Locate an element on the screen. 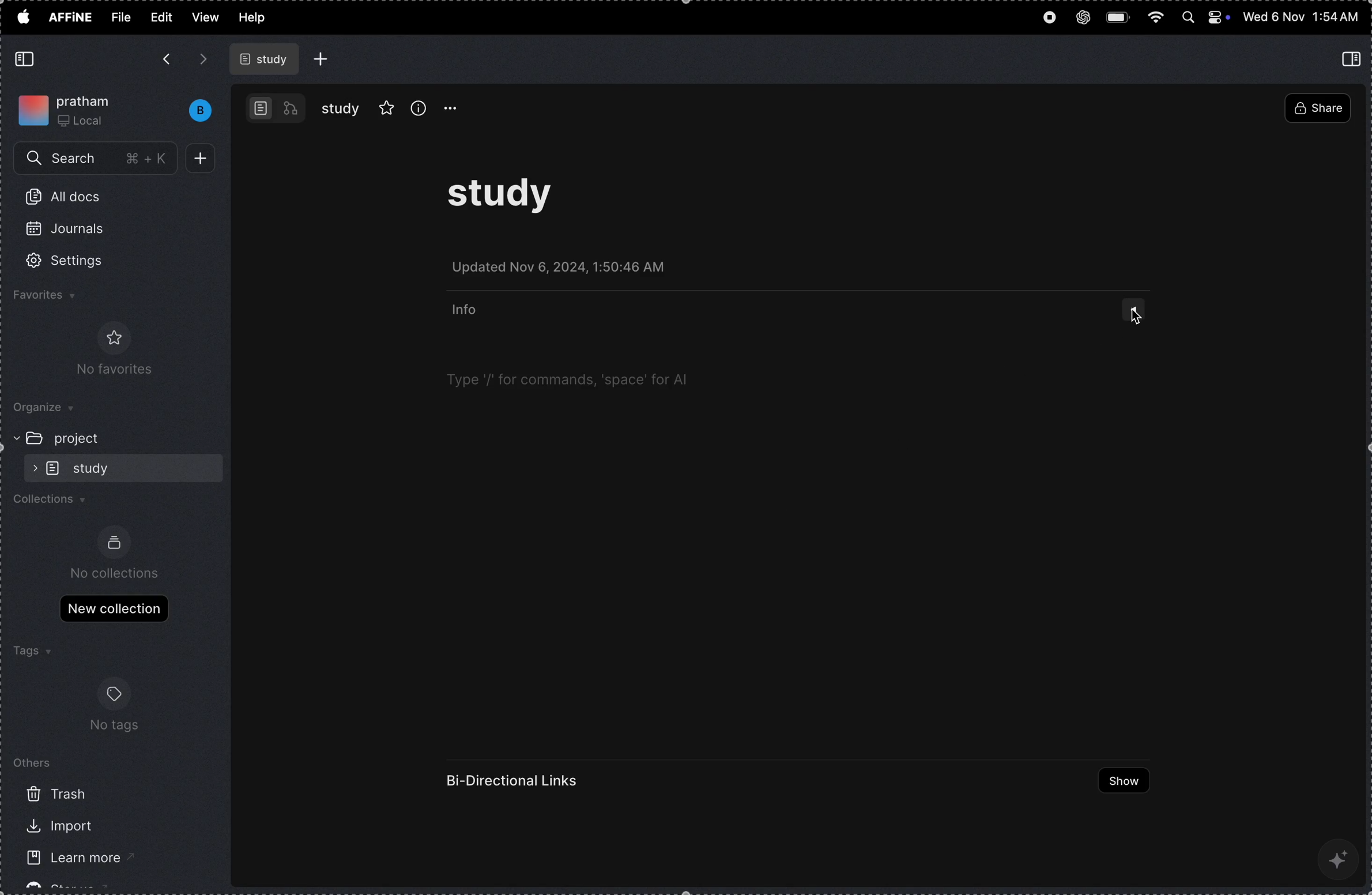  all docs is located at coordinates (69, 199).